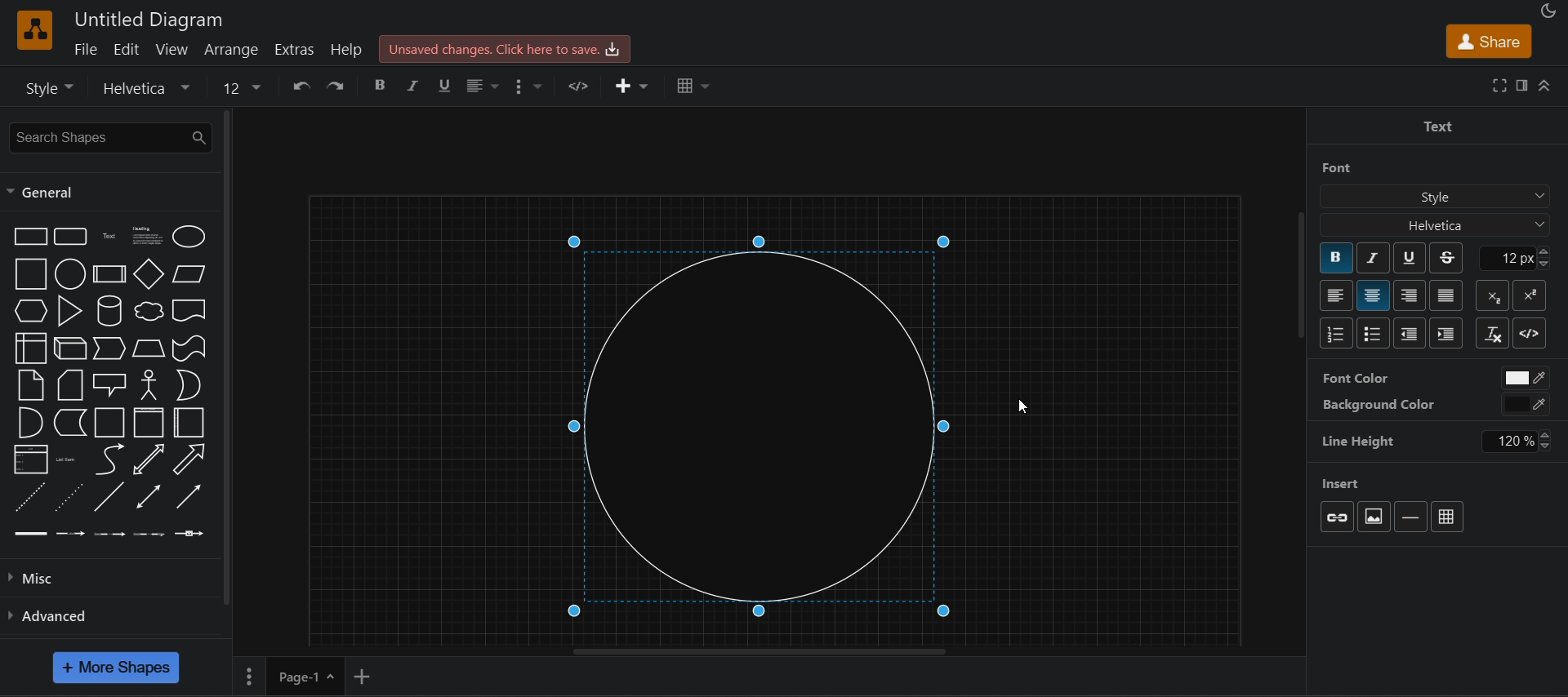 The width and height of the screenshot is (1568, 697). I want to click on Cursor, so click(1024, 406).